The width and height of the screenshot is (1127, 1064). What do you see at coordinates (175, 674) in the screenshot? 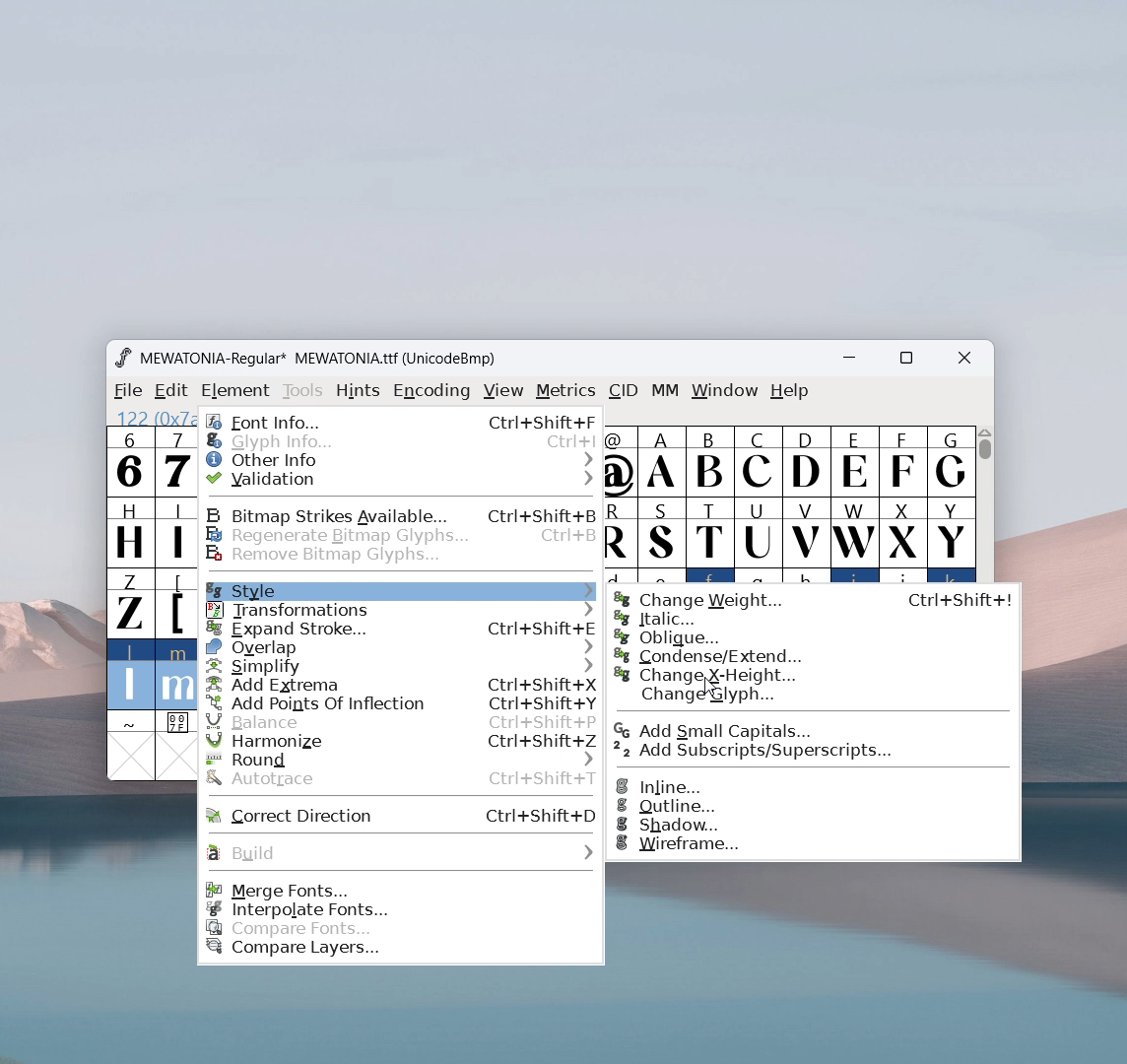
I see `m` at bounding box center [175, 674].